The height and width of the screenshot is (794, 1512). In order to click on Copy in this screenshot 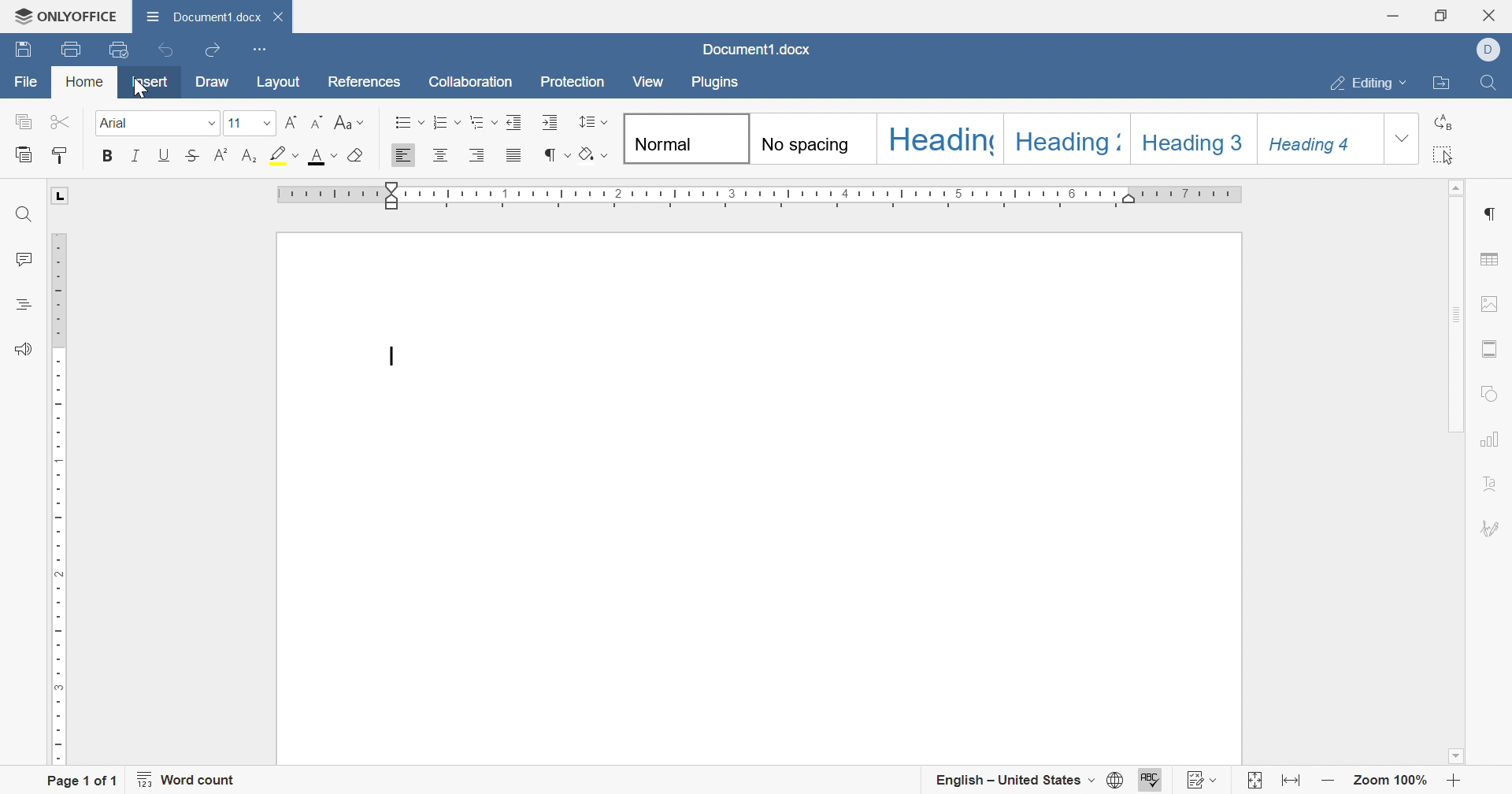, I will do `click(22, 121)`.